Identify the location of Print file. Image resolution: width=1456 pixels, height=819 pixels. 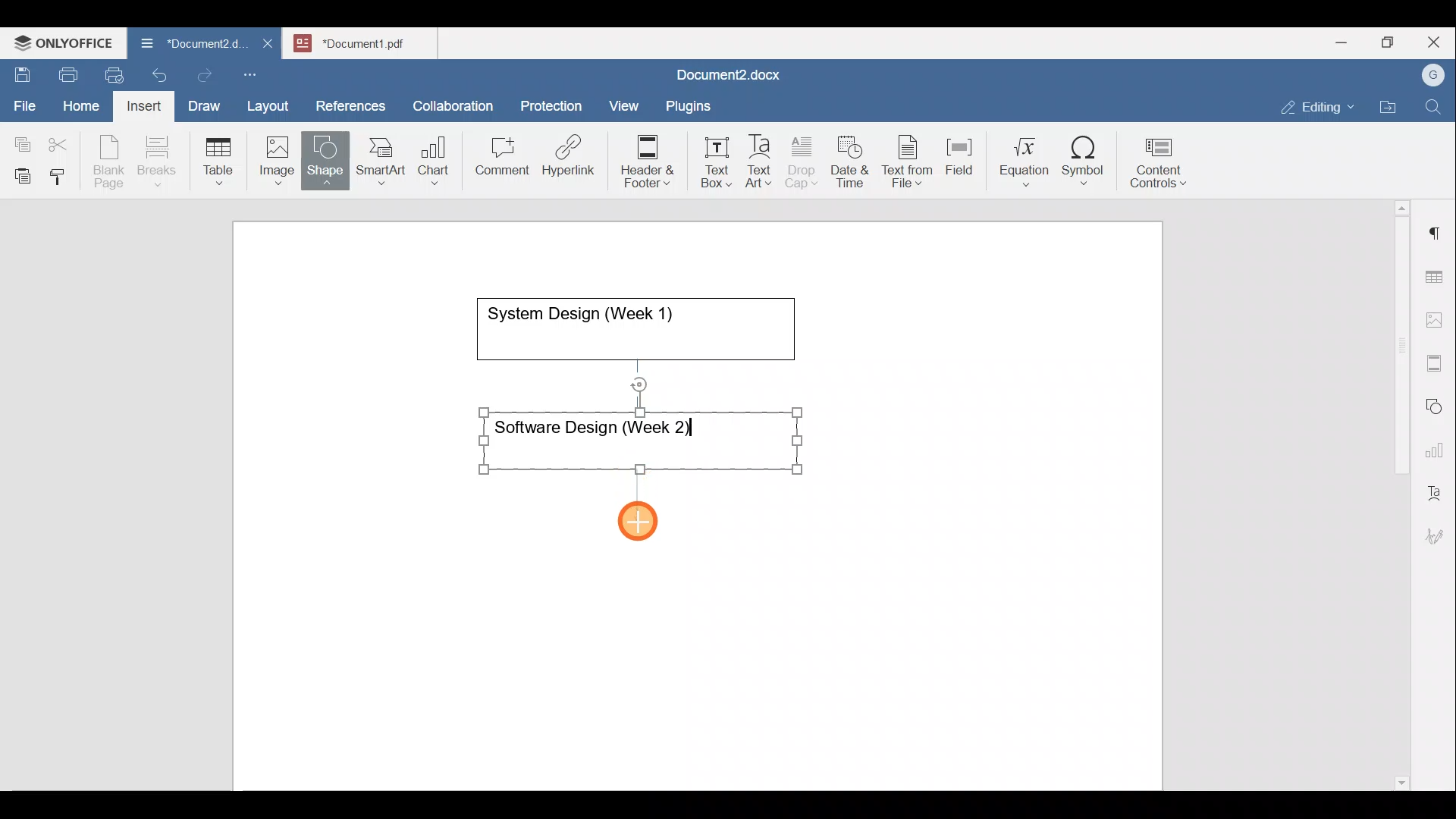
(65, 72).